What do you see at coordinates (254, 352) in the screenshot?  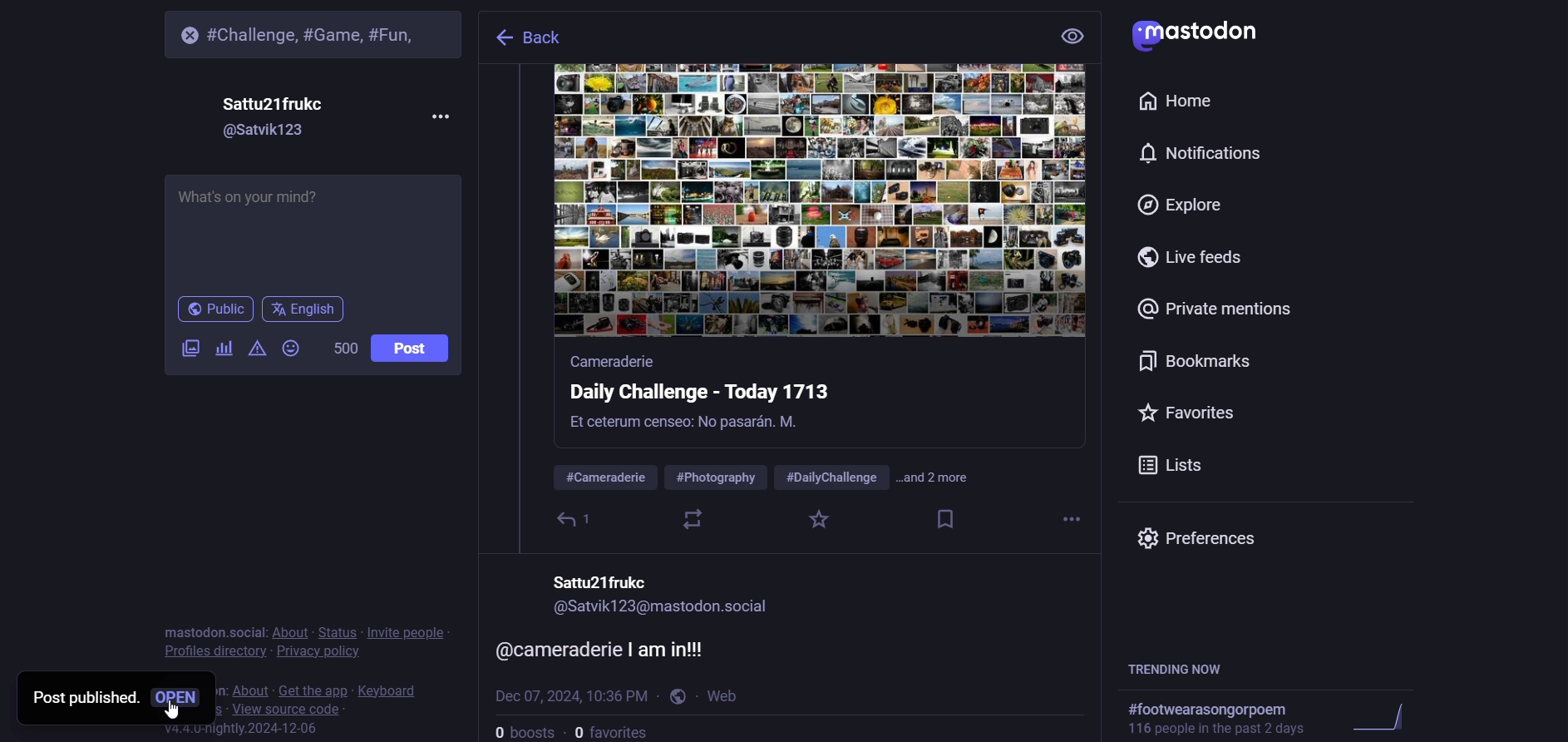 I see `content warning` at bounding box center [254, 352].